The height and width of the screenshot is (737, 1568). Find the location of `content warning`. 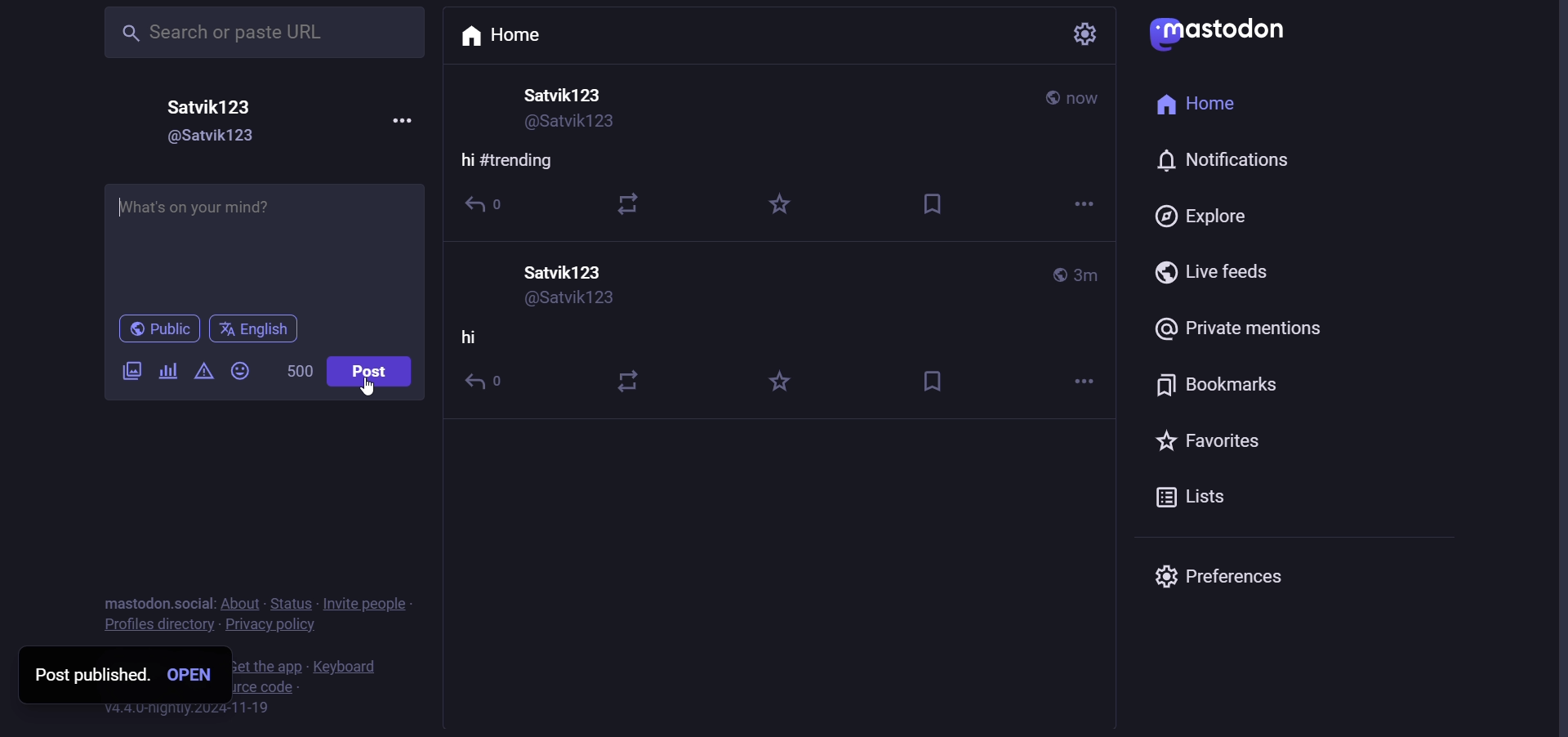

content warning is located at coordinates (202, 373).